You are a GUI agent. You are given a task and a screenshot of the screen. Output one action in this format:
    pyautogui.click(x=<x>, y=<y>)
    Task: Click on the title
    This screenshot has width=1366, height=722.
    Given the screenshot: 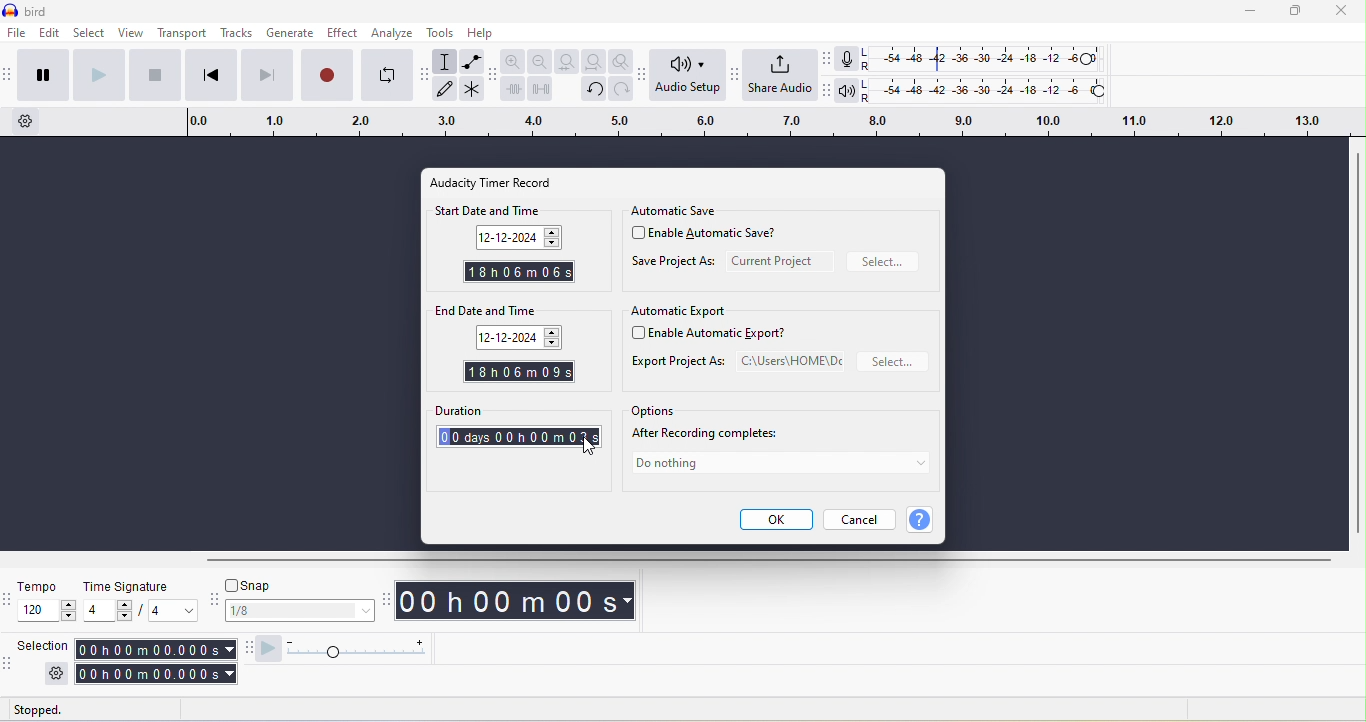 What is the action you would take?
    pyautogui.click(x=41, y=11)
    